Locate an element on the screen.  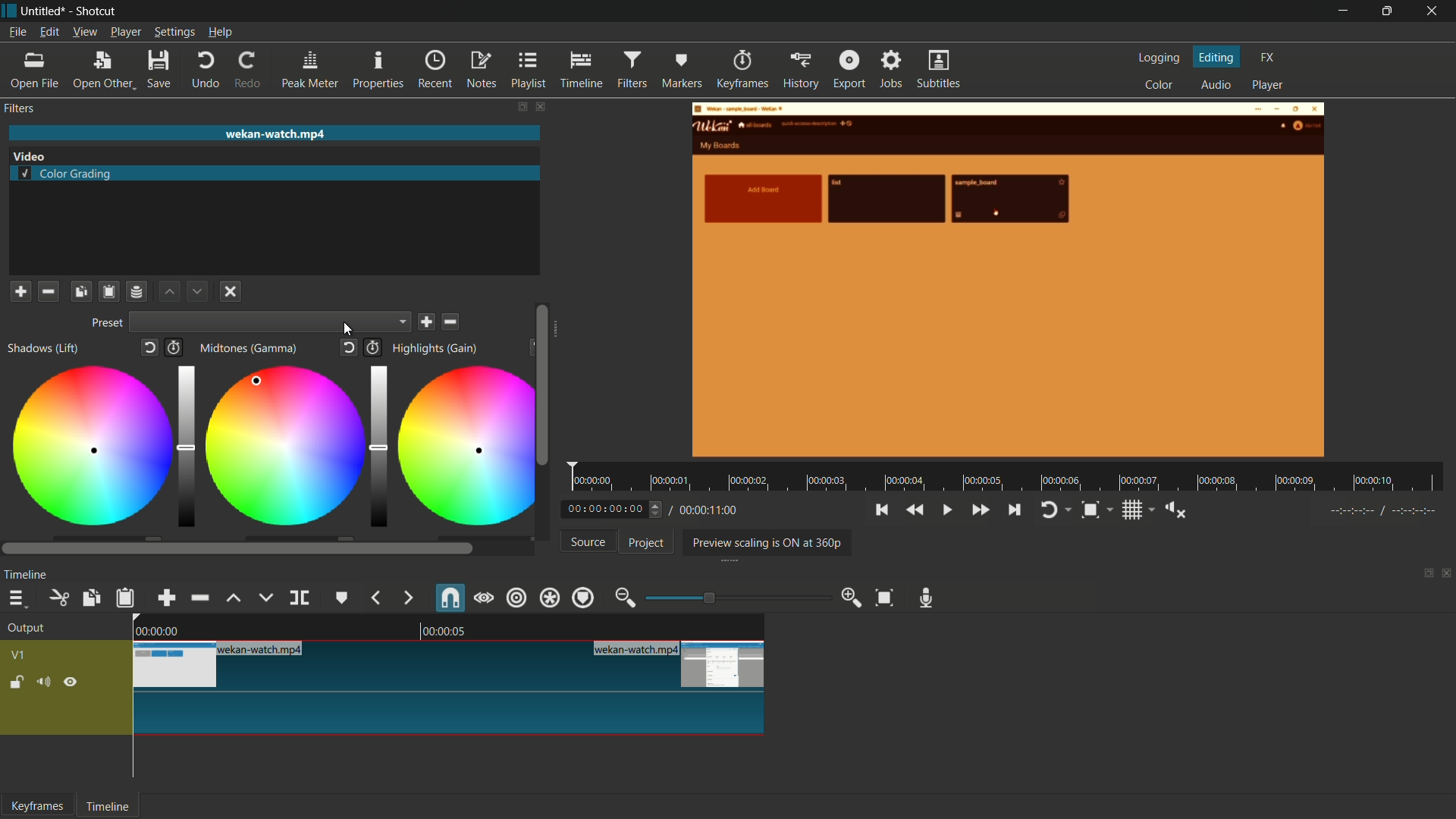
adjustment bar is located at coordinates (376, 446).